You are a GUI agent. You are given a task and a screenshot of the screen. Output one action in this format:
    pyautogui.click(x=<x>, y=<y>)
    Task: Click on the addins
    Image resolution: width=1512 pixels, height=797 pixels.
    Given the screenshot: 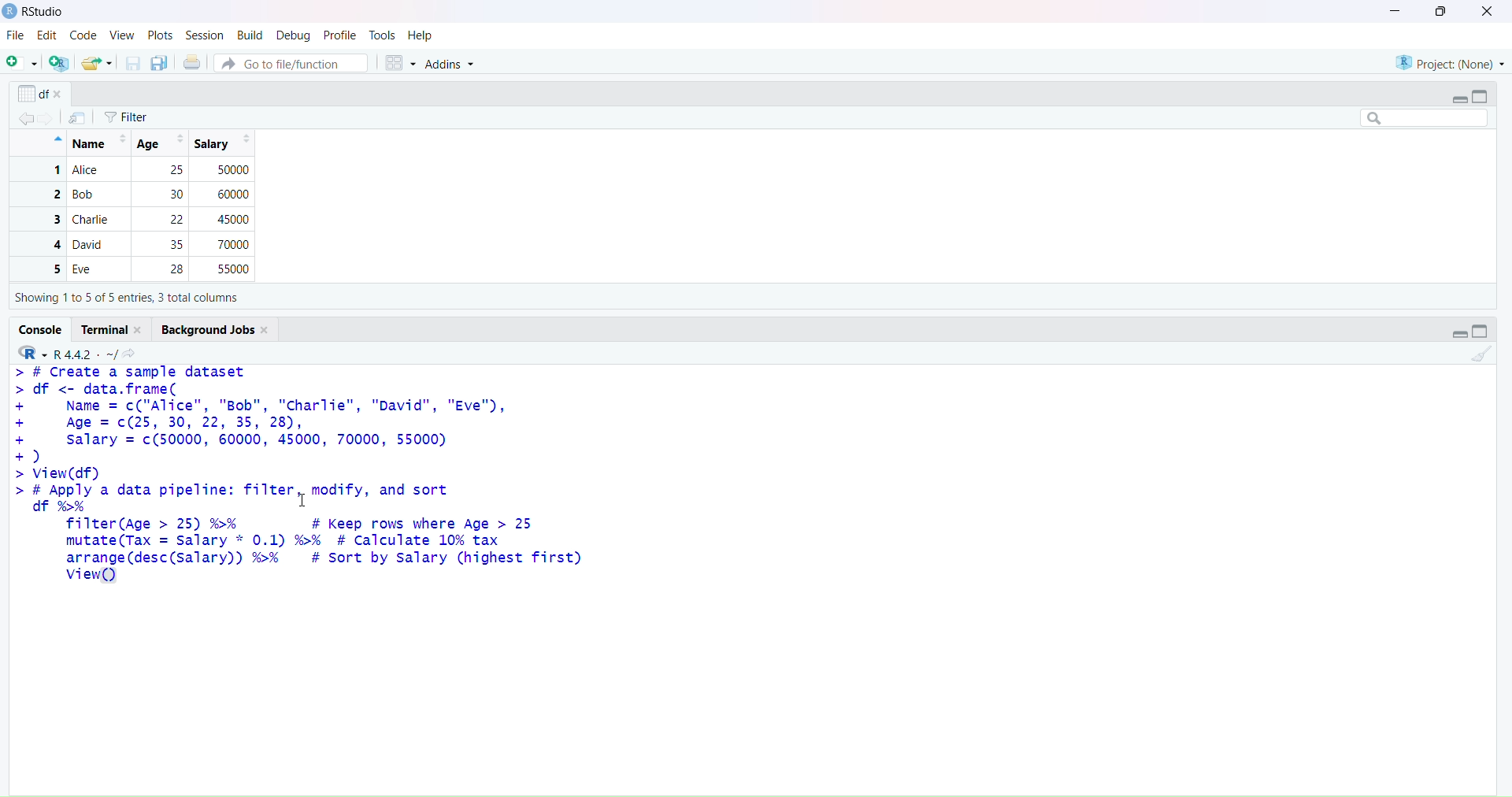 What is the action you would take?
    pyautogui.click(x=454, y=65)
    